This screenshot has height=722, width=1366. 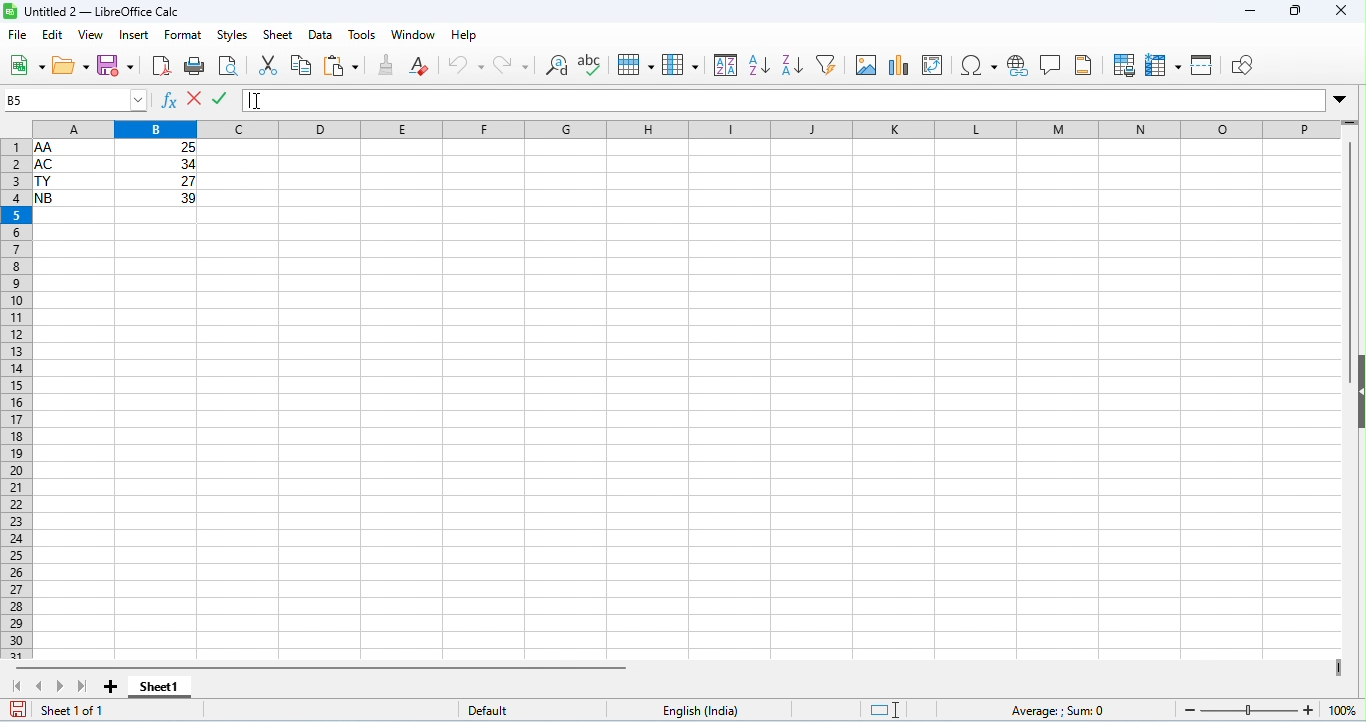 What do you see at coordinates (1357, 390) in the screenshot?
I see `hide` at bounding box center [1357, 390].